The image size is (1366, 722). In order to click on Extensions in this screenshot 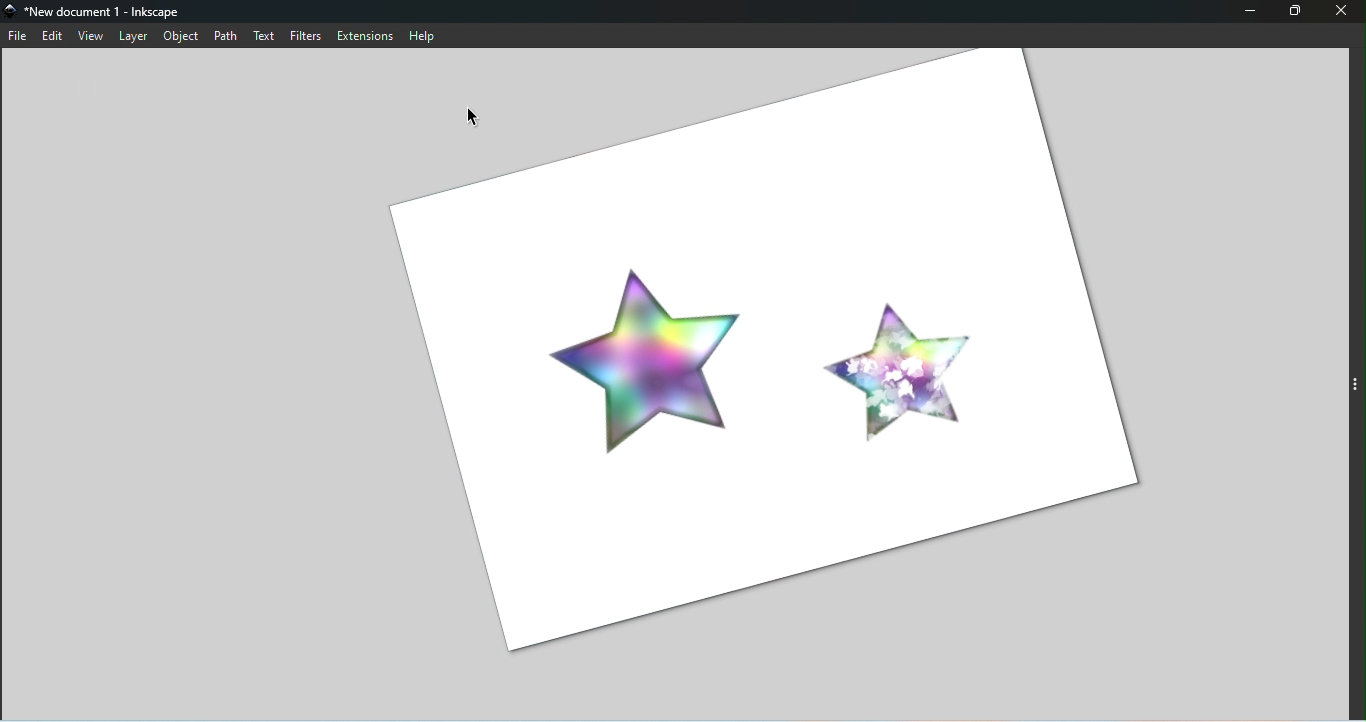, I will do `click(366, 35)`.